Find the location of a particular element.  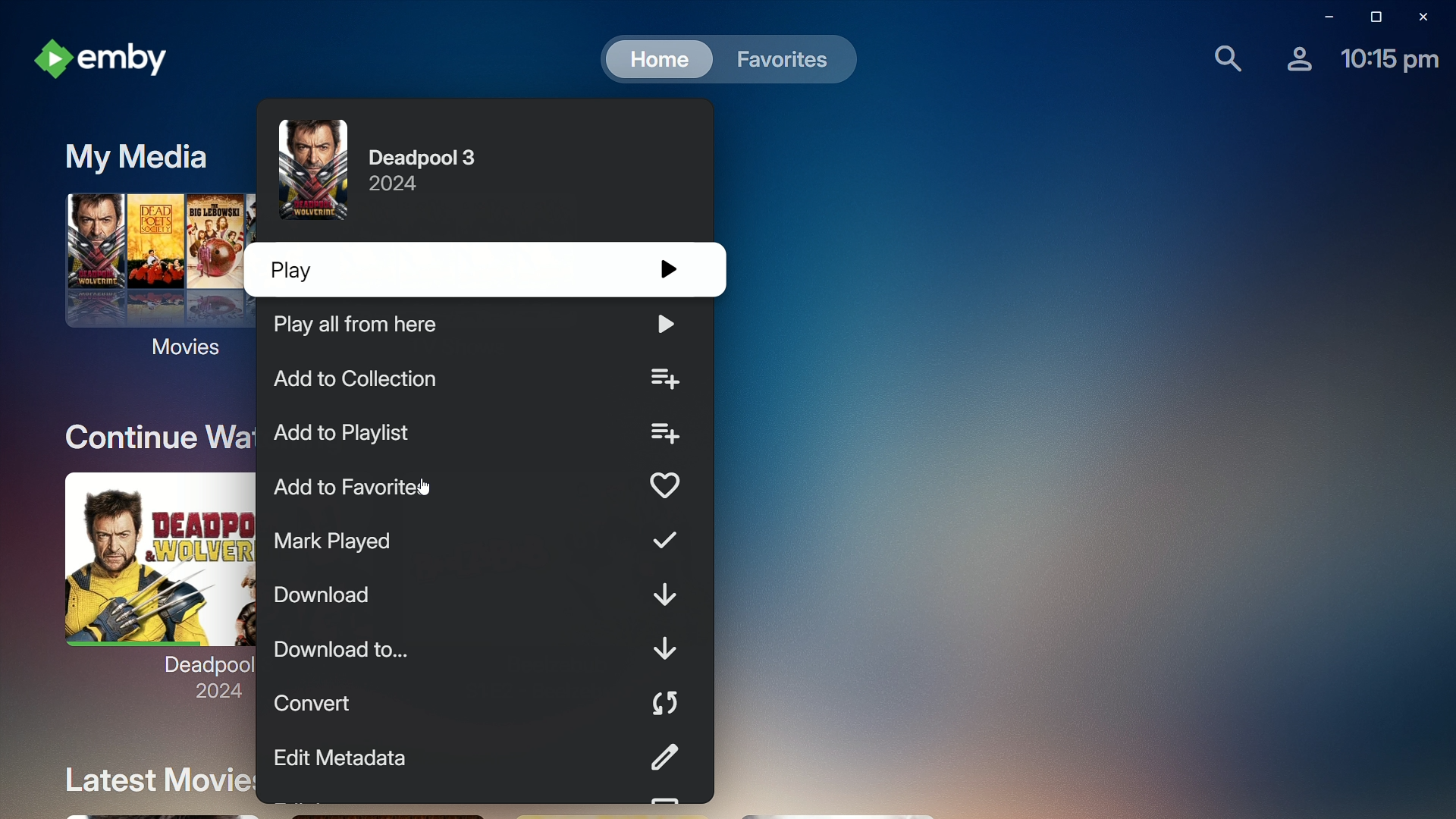

Time is located at coordinates (1394, 65).